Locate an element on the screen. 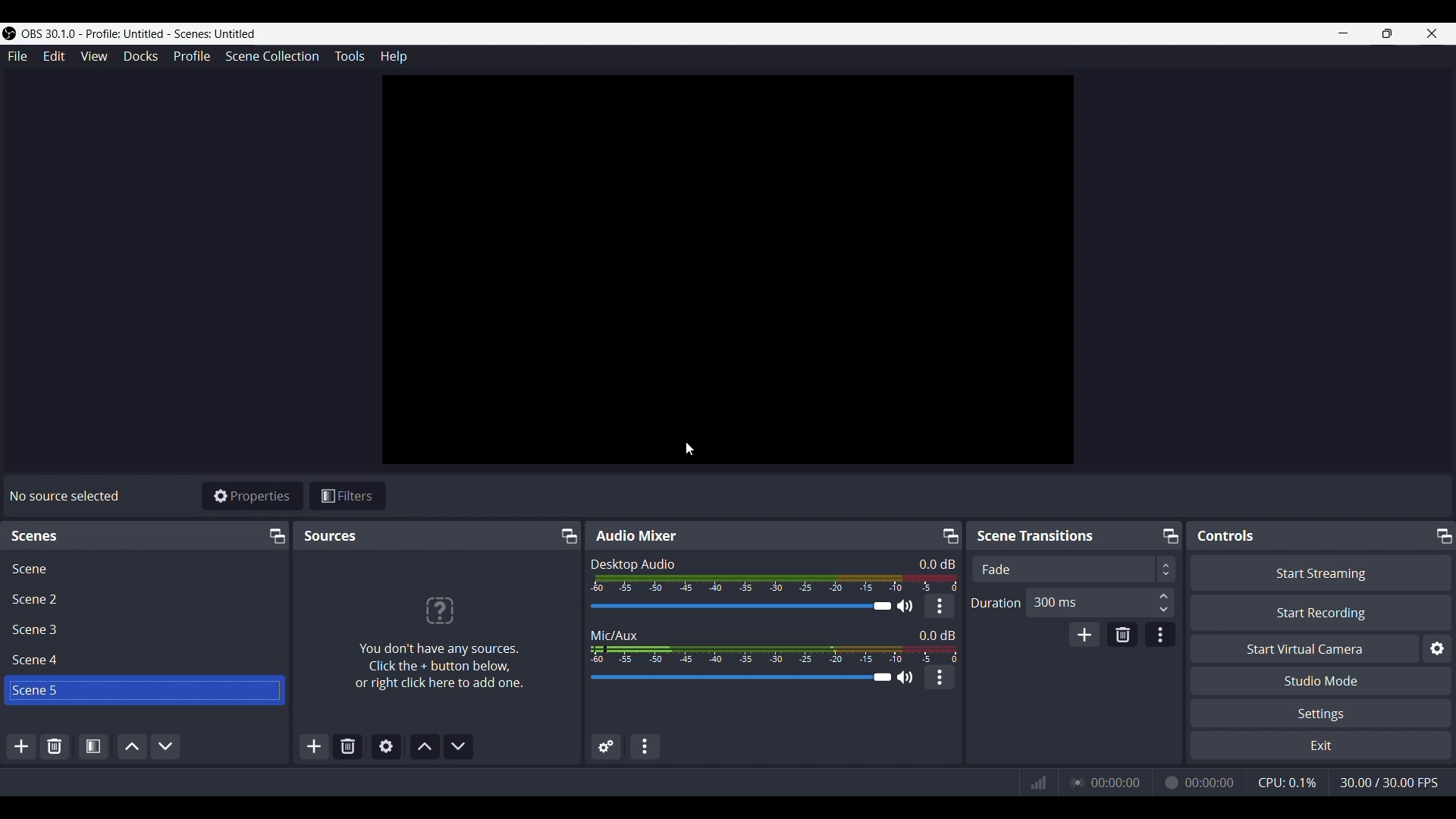 This screenshot has height=819, width=1456. Move Source Up is located at coordinates (425, 746).